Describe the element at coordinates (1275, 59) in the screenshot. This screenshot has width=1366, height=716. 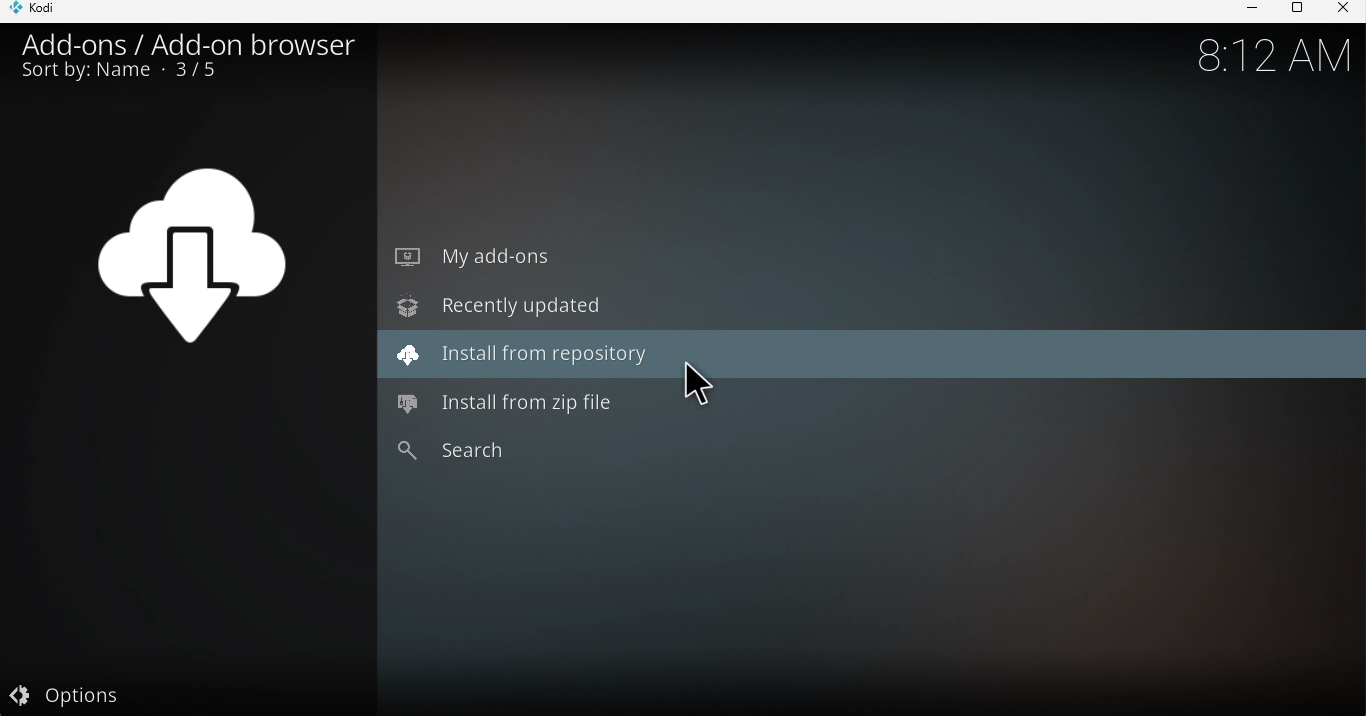
I see `8:12 am` at that location.